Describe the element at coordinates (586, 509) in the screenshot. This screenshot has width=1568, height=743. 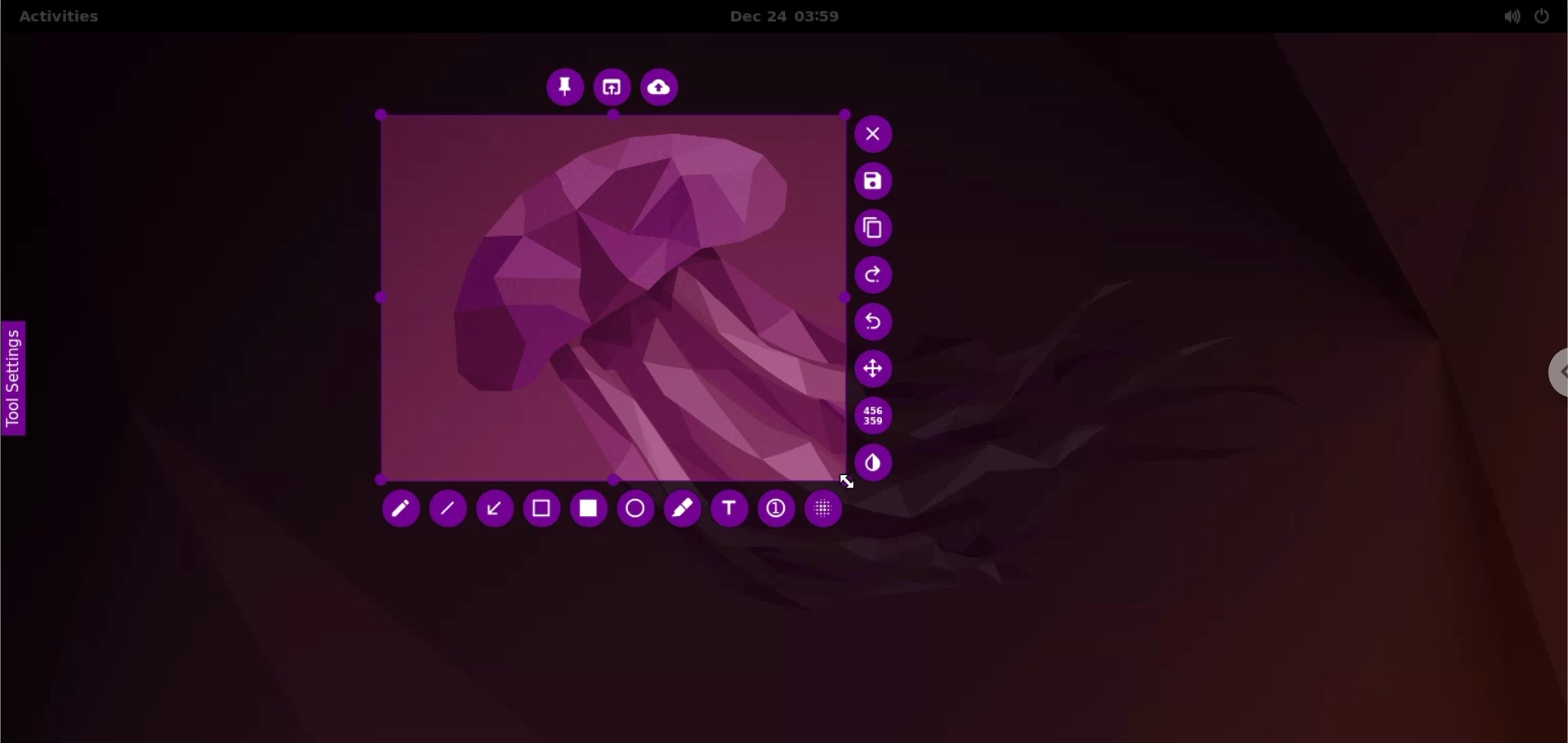
I see `rectangle` at that location.